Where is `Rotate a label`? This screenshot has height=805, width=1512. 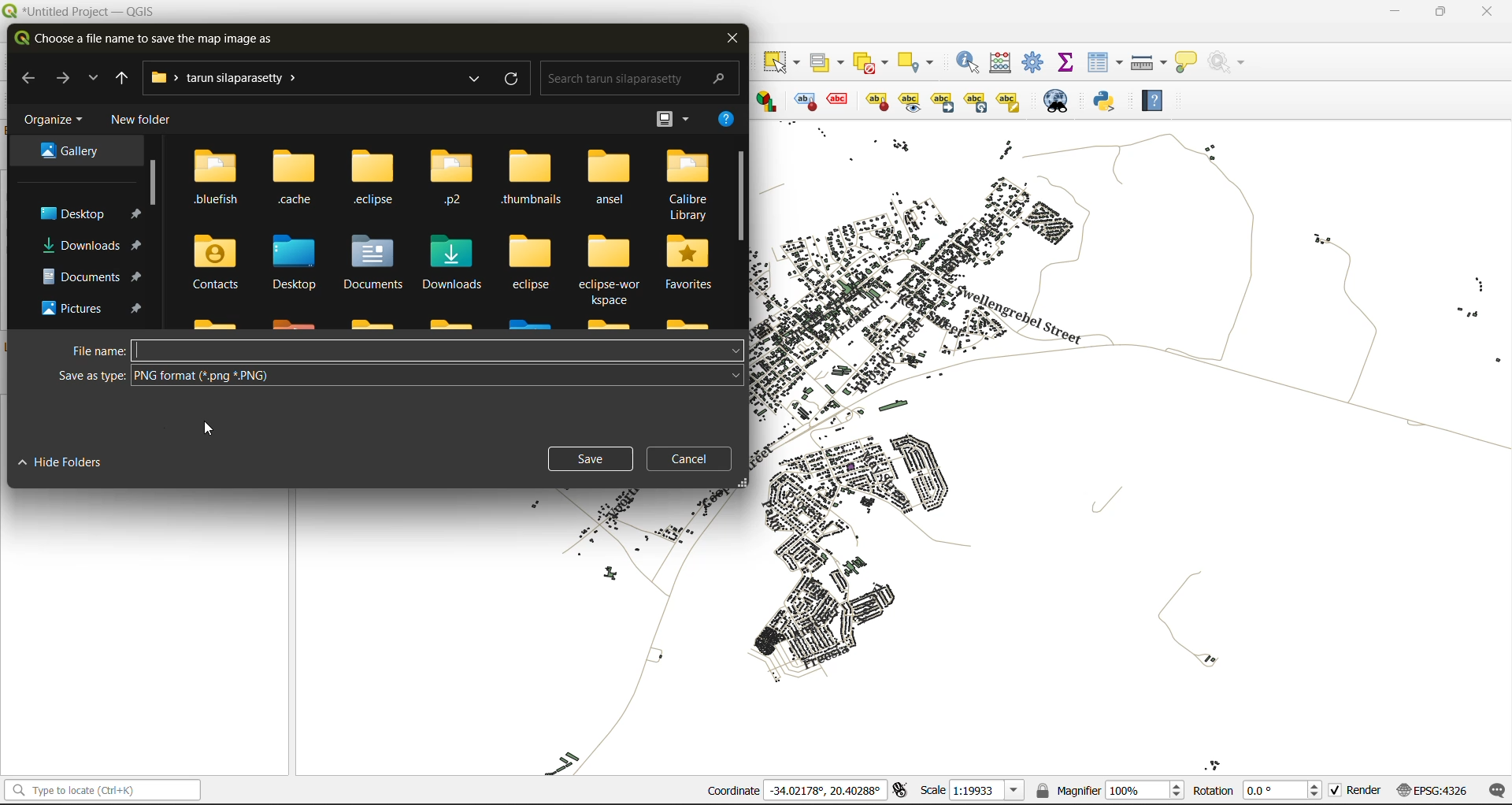
Rotate a label is located at coordinates (976, 100).